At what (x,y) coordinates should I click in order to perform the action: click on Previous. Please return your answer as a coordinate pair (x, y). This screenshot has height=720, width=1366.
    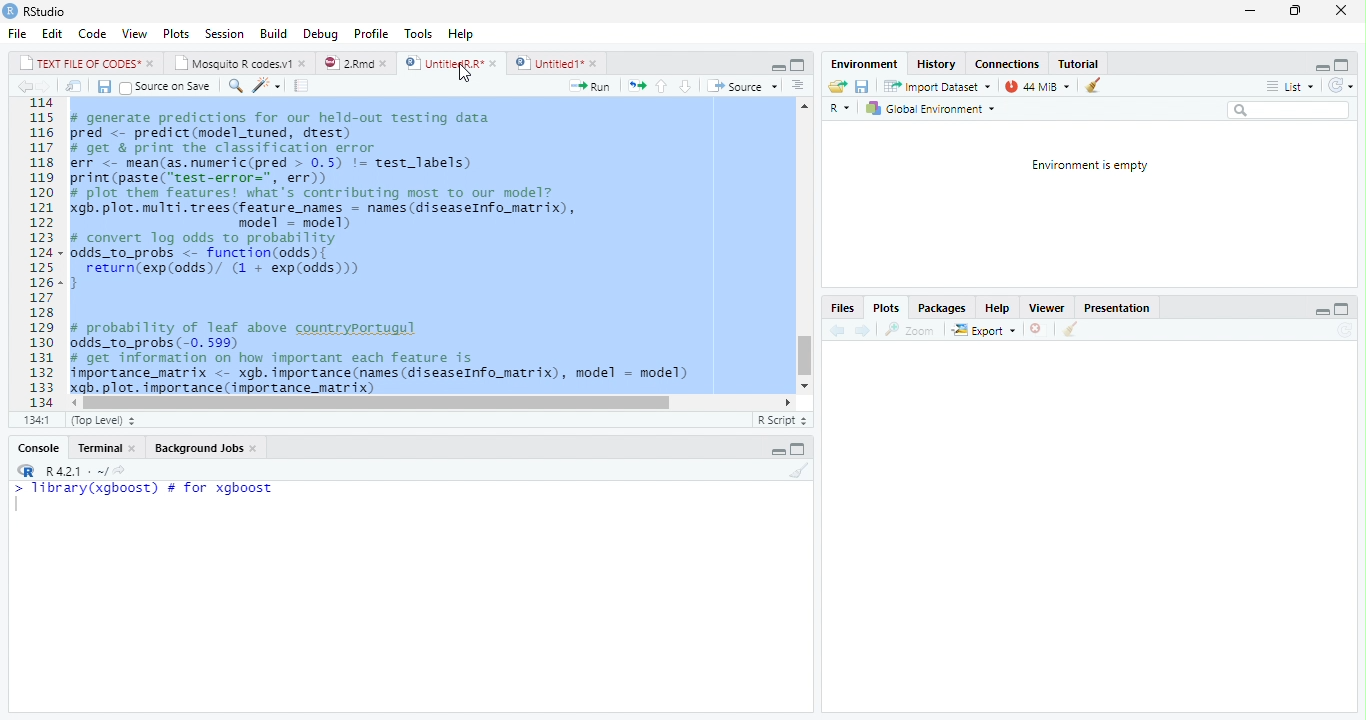
    Looking at the image, I should click on (835, 329).